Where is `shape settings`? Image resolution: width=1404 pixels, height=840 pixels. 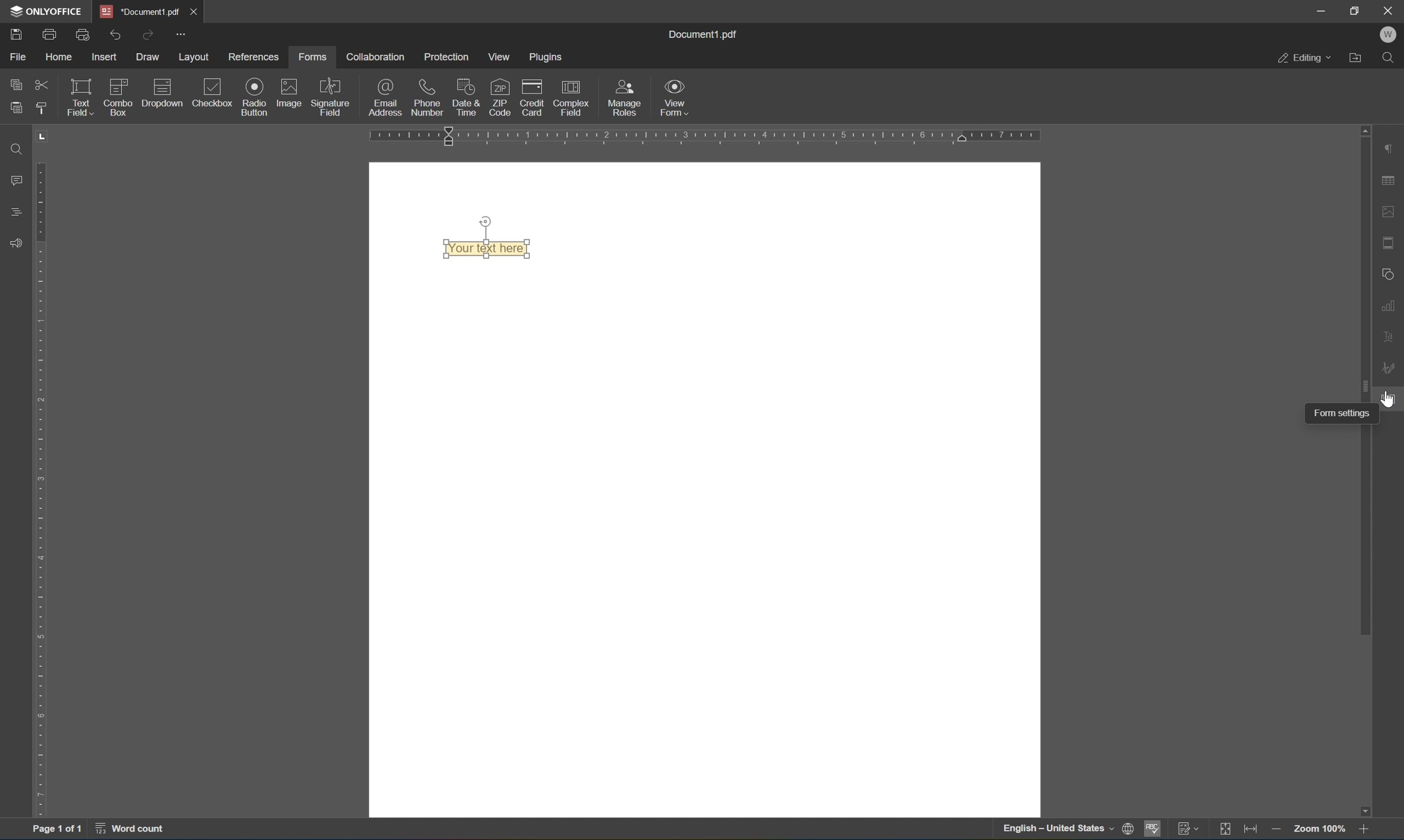 shape settings is located at coordinates (1390, 273).